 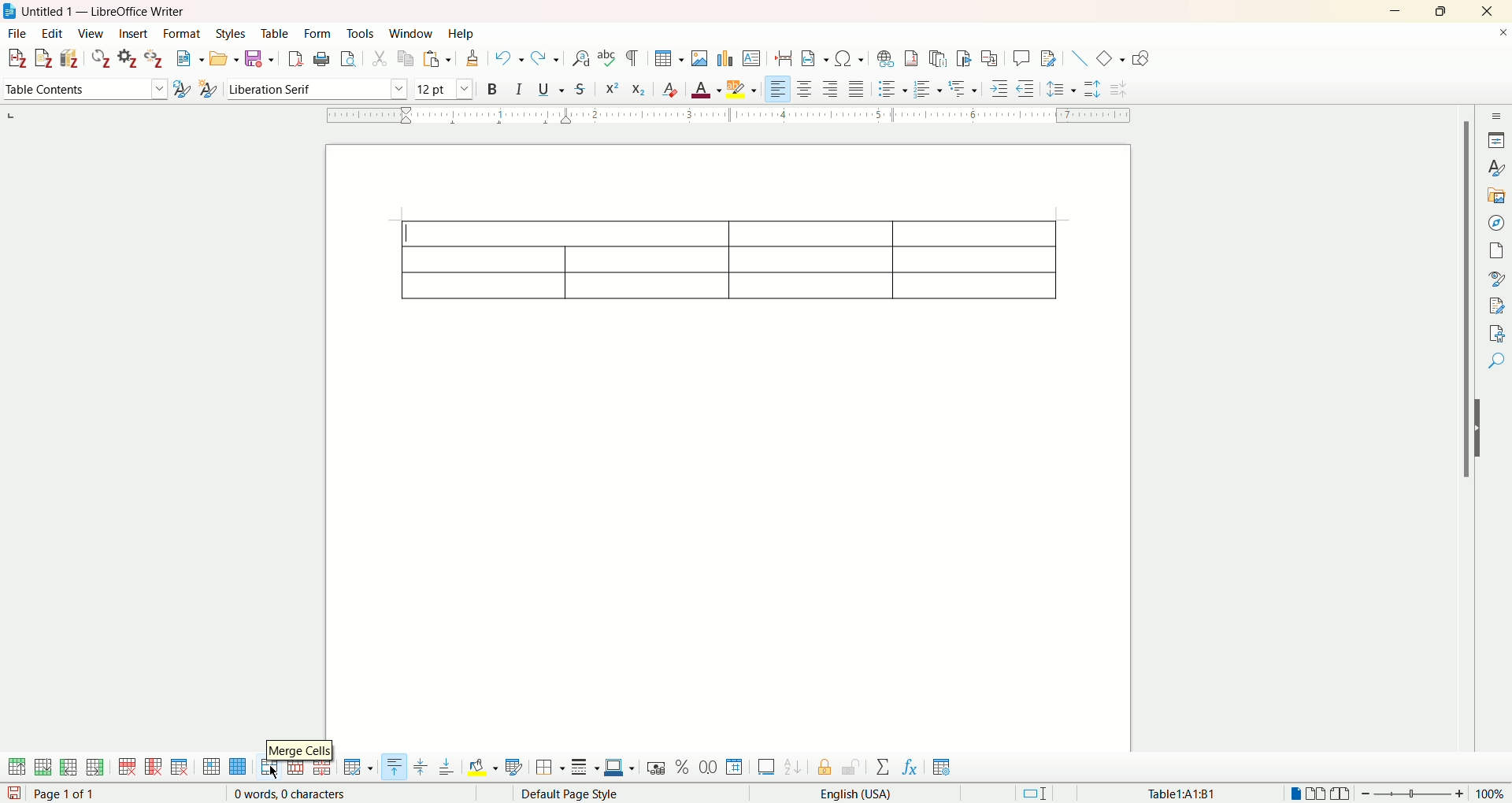 I want to click on insert footnote, so click(x=913, y=58).